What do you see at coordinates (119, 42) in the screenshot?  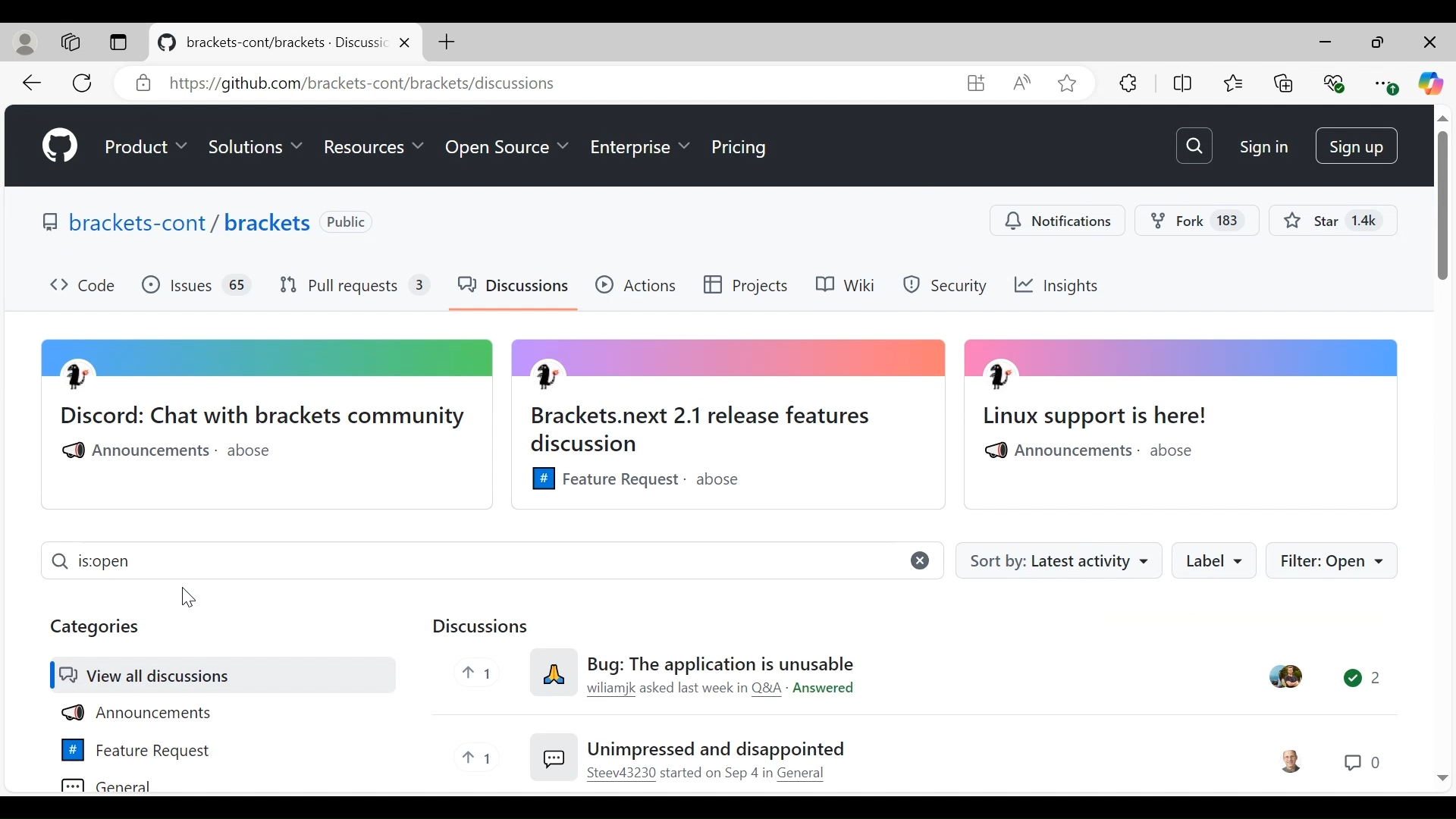 I see `Tab action menu` at bounding box center [119, 42].